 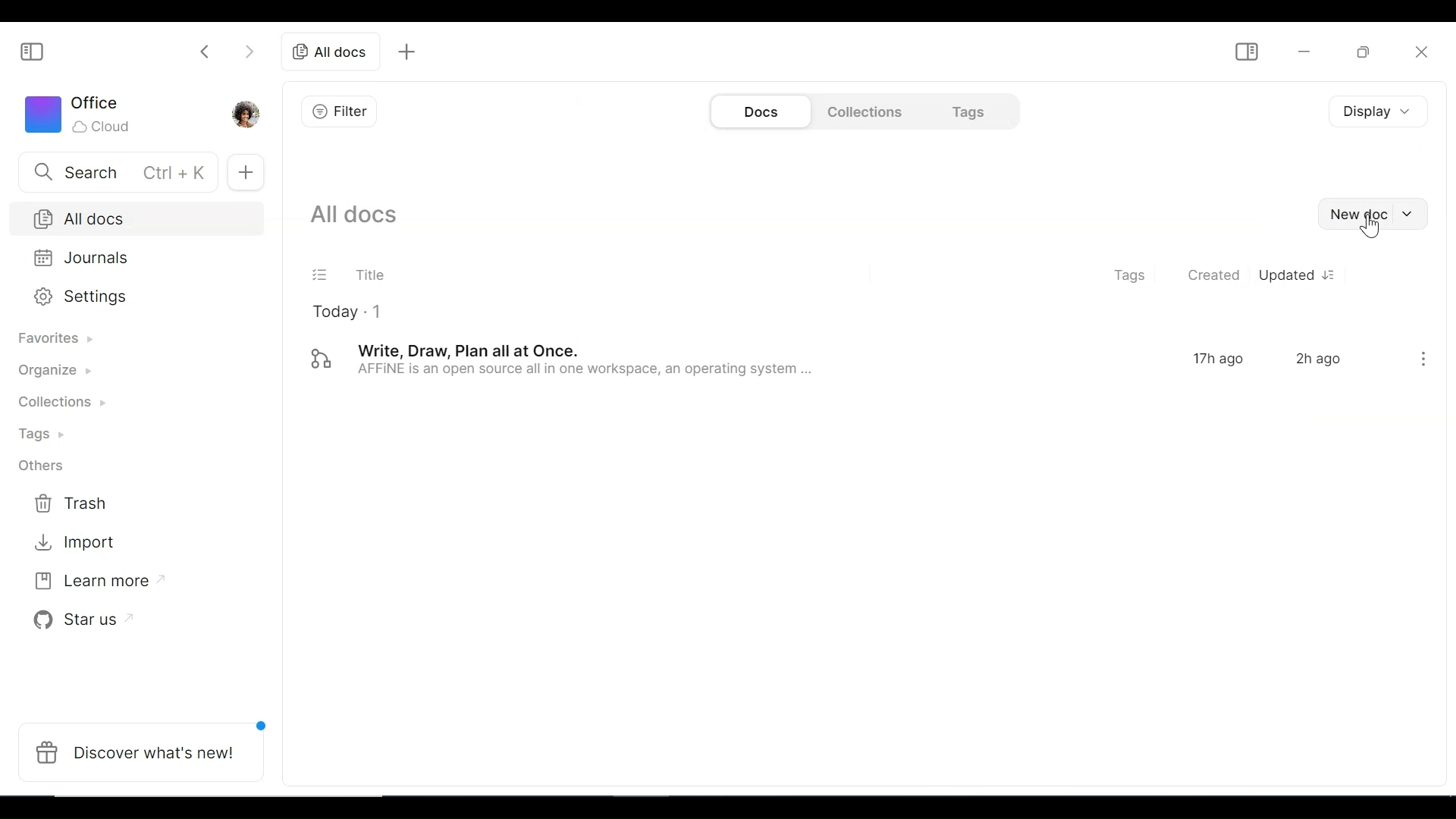 I want to click on Trash, so click(x=72, y=504).